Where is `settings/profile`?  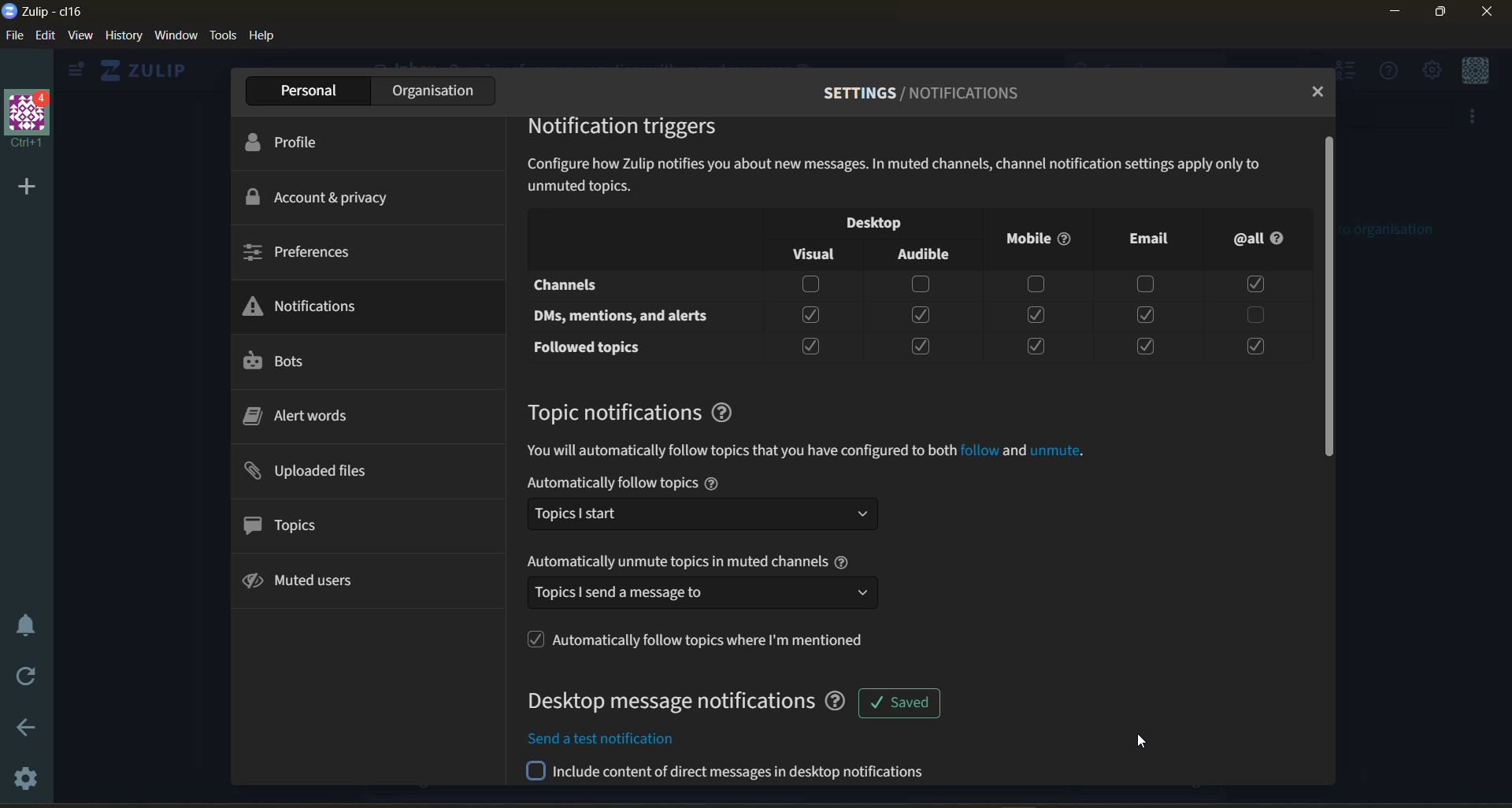
settings/profile is located at coordinates (907, 92).